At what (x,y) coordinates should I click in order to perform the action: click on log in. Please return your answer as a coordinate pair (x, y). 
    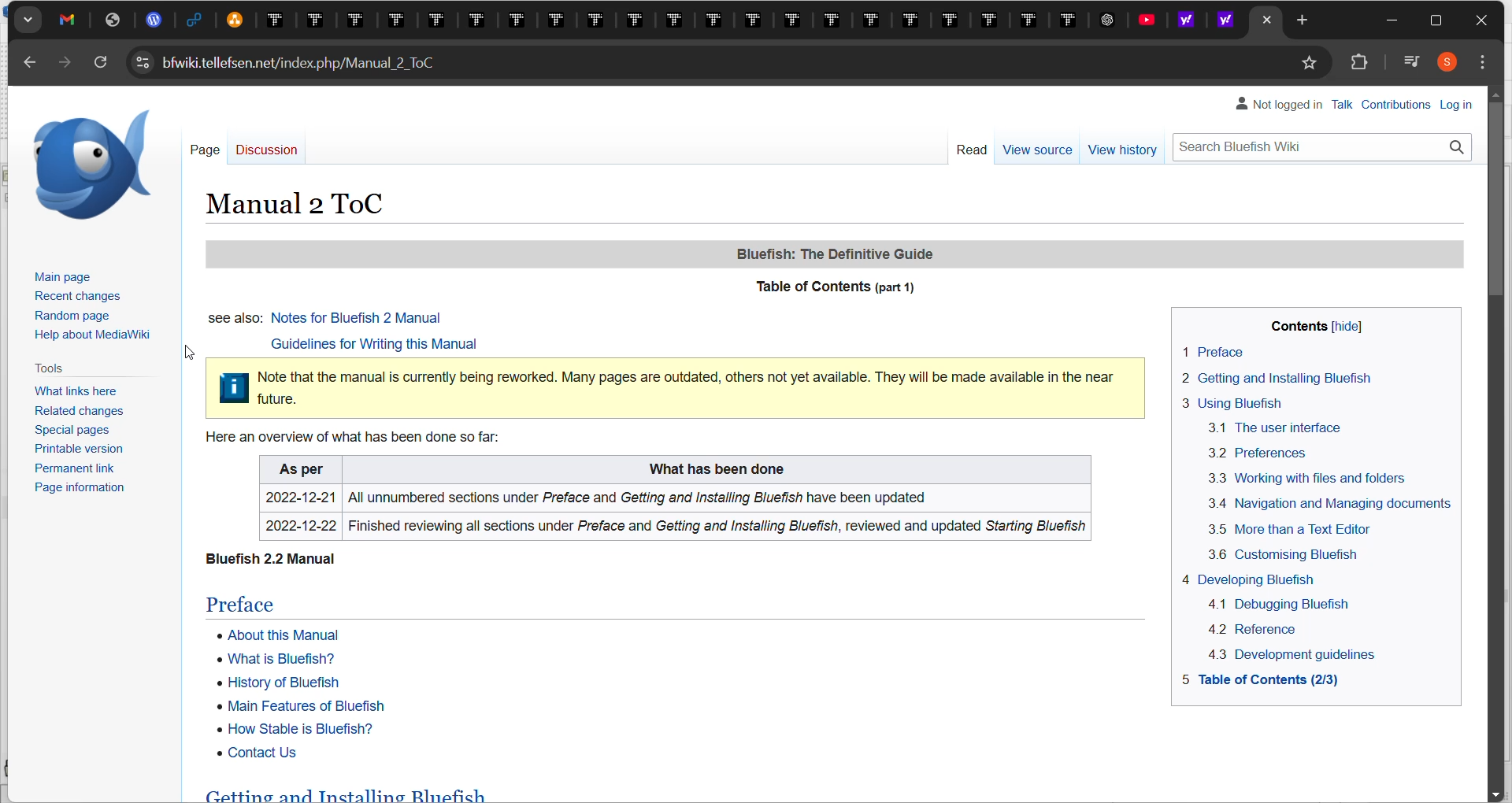
    Looking at the image, I should click on (1456, 105).